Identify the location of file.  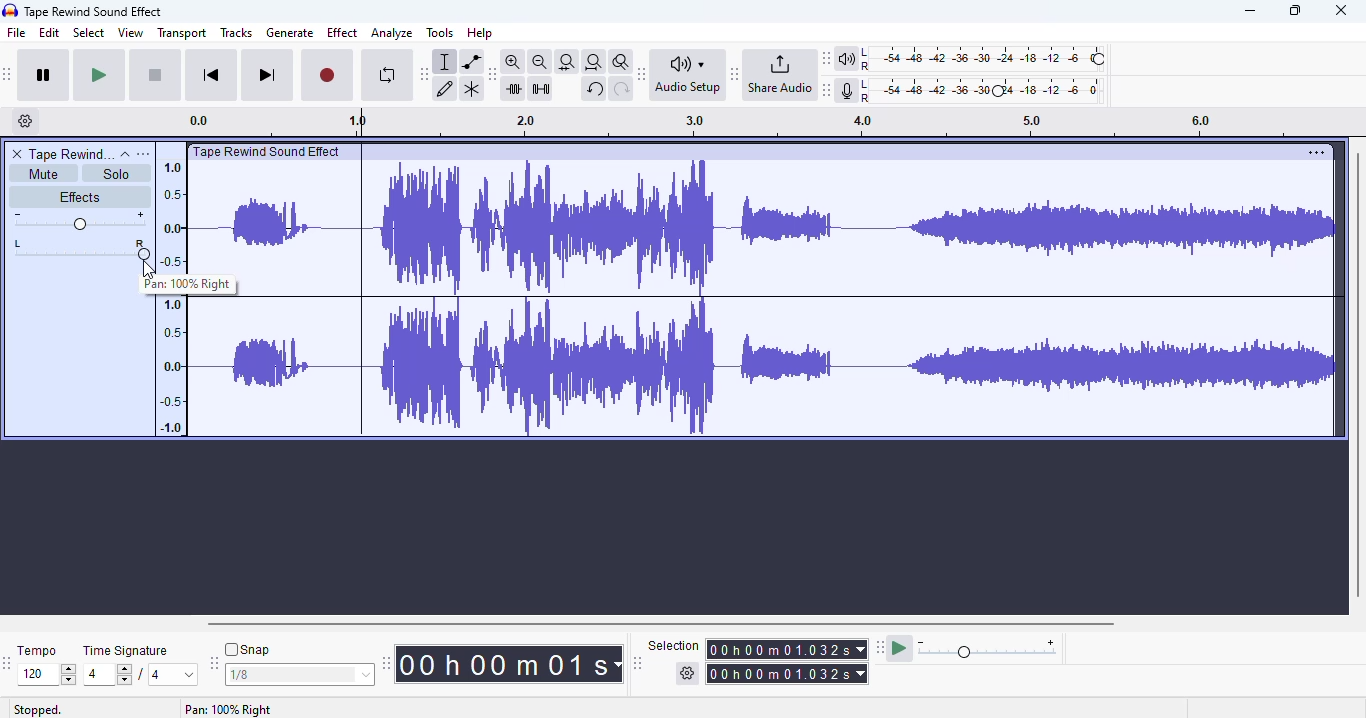
(17, 32).